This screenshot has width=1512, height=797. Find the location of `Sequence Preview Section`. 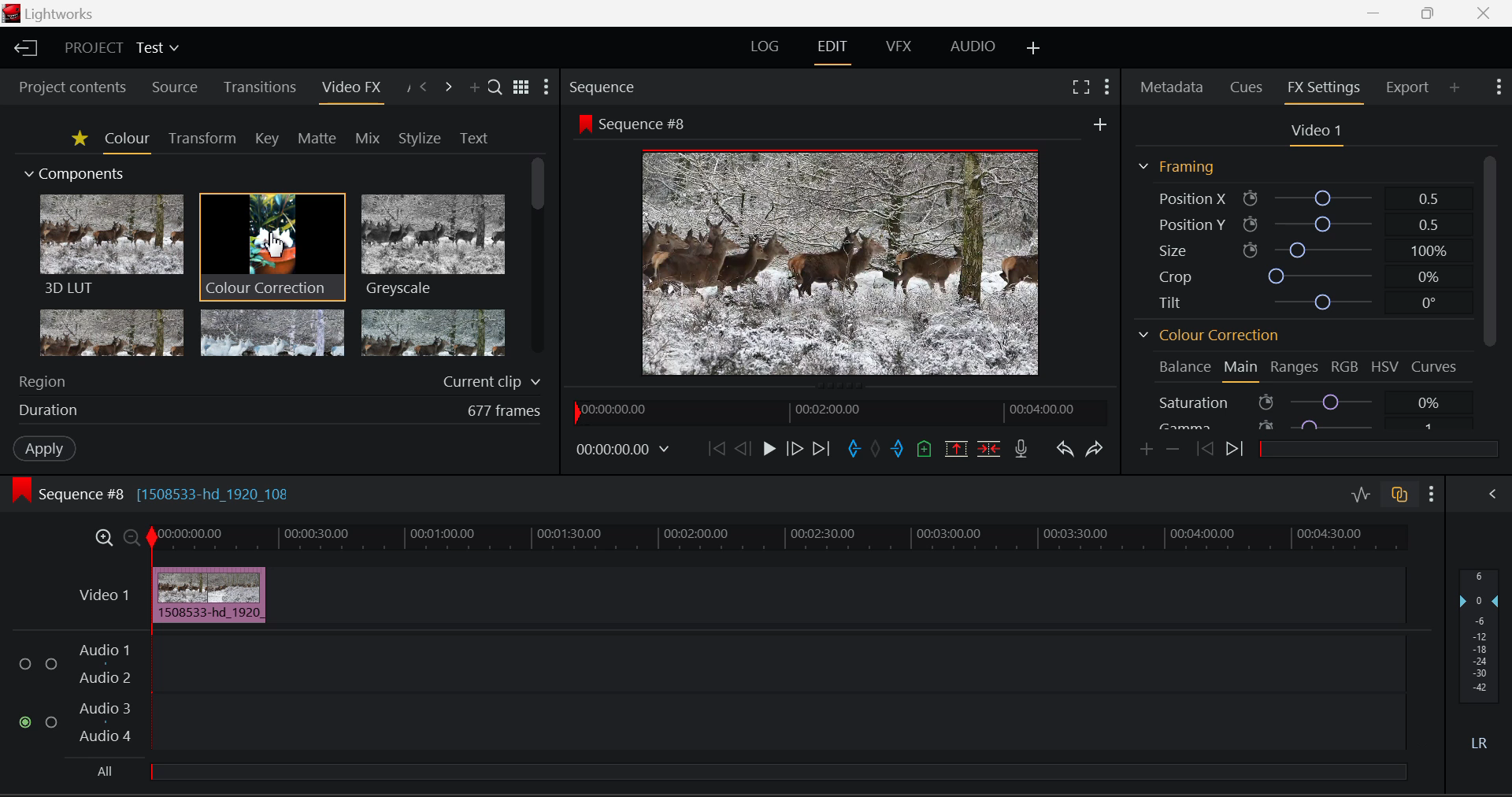

Sequence Preview Section is located at coordinates (606, 88).